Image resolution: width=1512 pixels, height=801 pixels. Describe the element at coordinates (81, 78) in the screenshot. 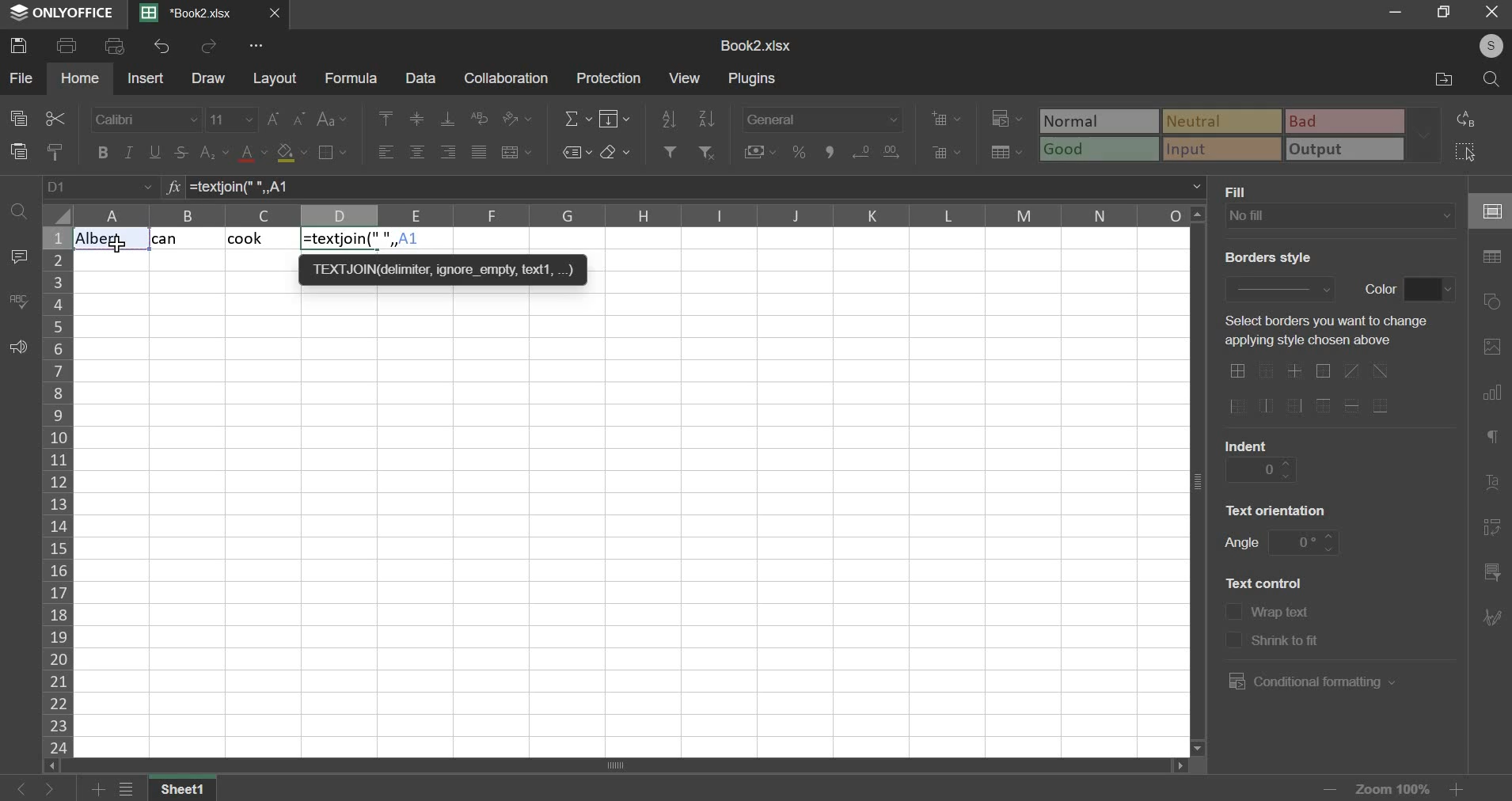

I see `home` at that location.